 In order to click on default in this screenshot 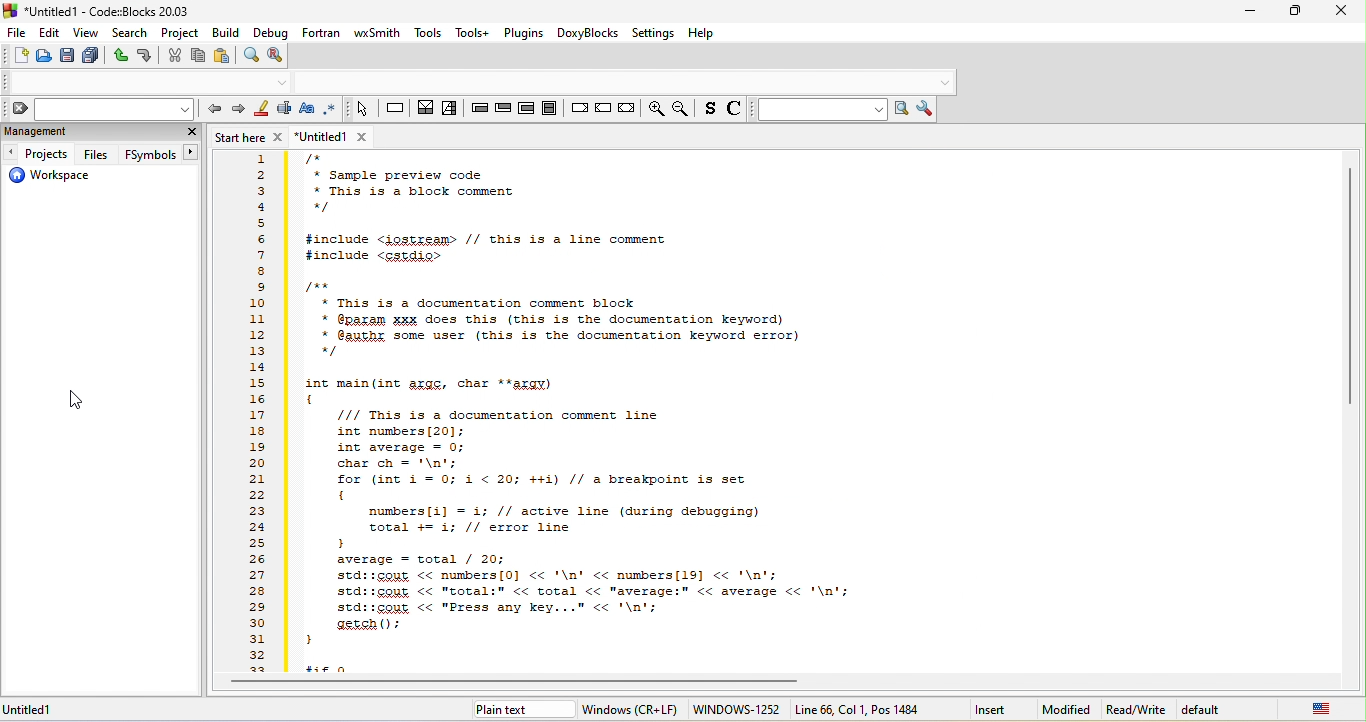, I will do `click(1215, 710)`.